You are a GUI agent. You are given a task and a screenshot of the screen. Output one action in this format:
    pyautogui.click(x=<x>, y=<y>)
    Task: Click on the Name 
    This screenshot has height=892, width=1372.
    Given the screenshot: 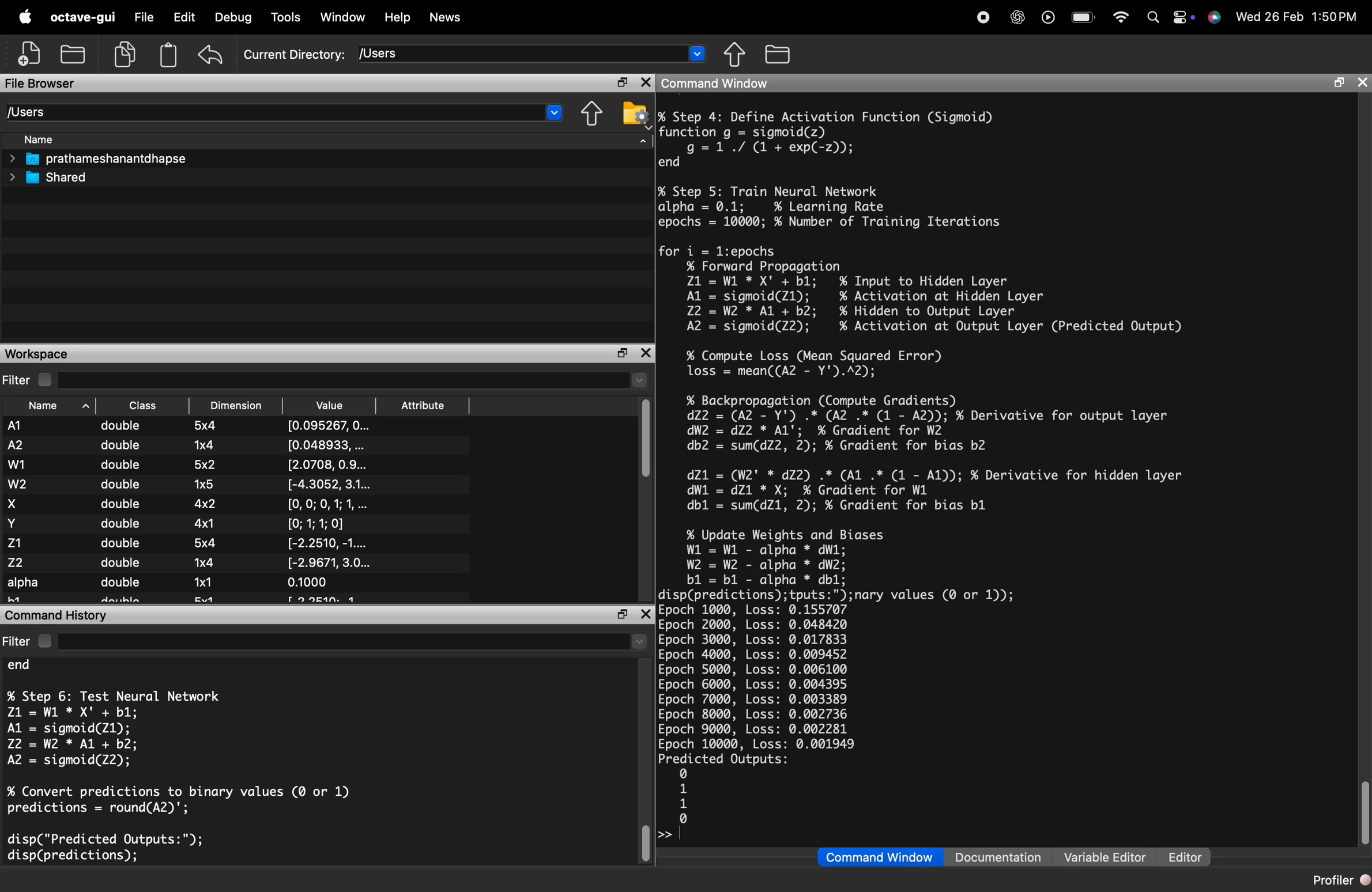 What is the action you would take?
    pyautogui.click(x=51, y=408)
    